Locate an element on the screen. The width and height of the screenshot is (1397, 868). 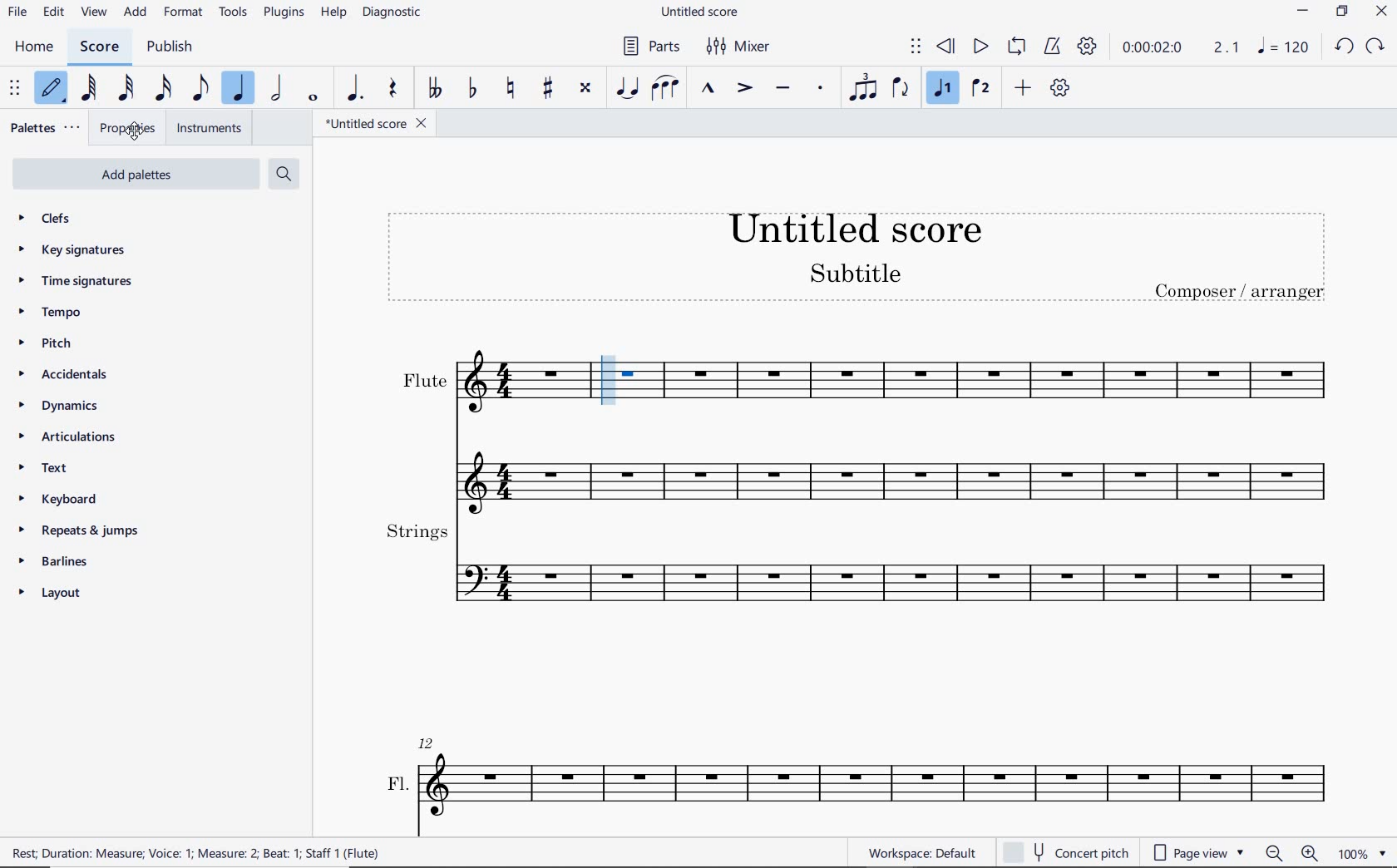
REWIND is located at coordinates (946, 47).